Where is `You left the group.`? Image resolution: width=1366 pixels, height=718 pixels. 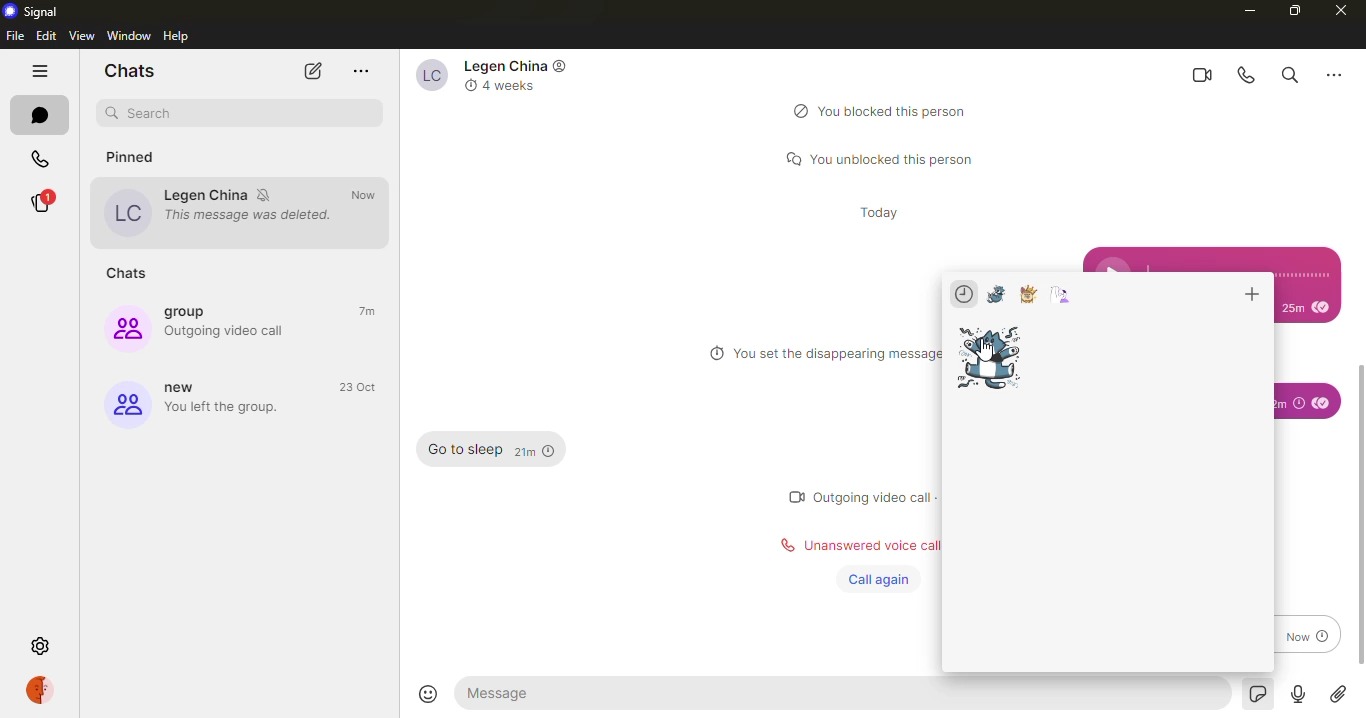
You left the group. is located at coordinates (234, 410).